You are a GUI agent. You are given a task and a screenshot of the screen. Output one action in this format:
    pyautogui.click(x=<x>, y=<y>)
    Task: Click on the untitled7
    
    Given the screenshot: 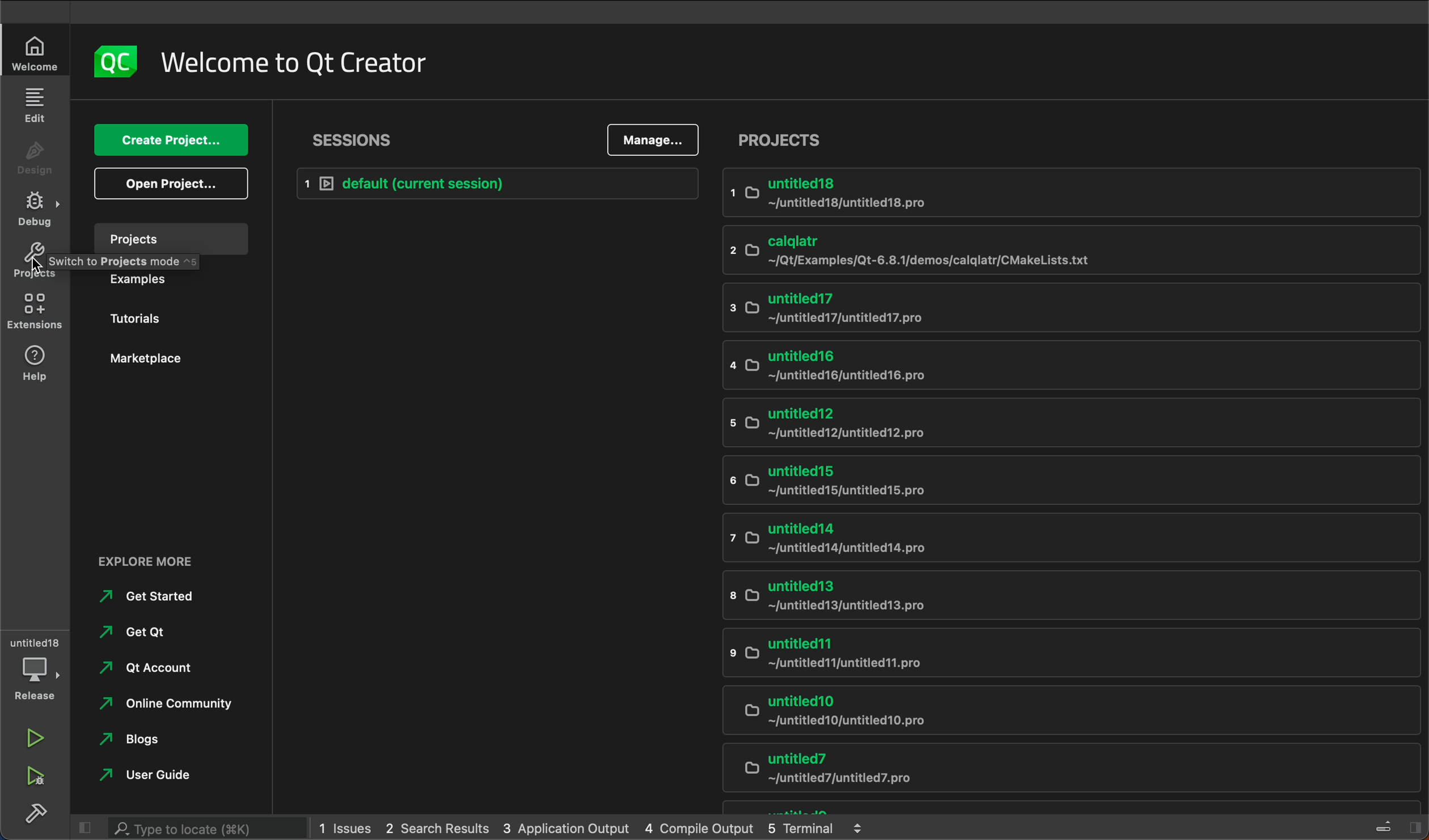 What is the action you would take?
    pyautogui.click(x=1062, y=769)
    